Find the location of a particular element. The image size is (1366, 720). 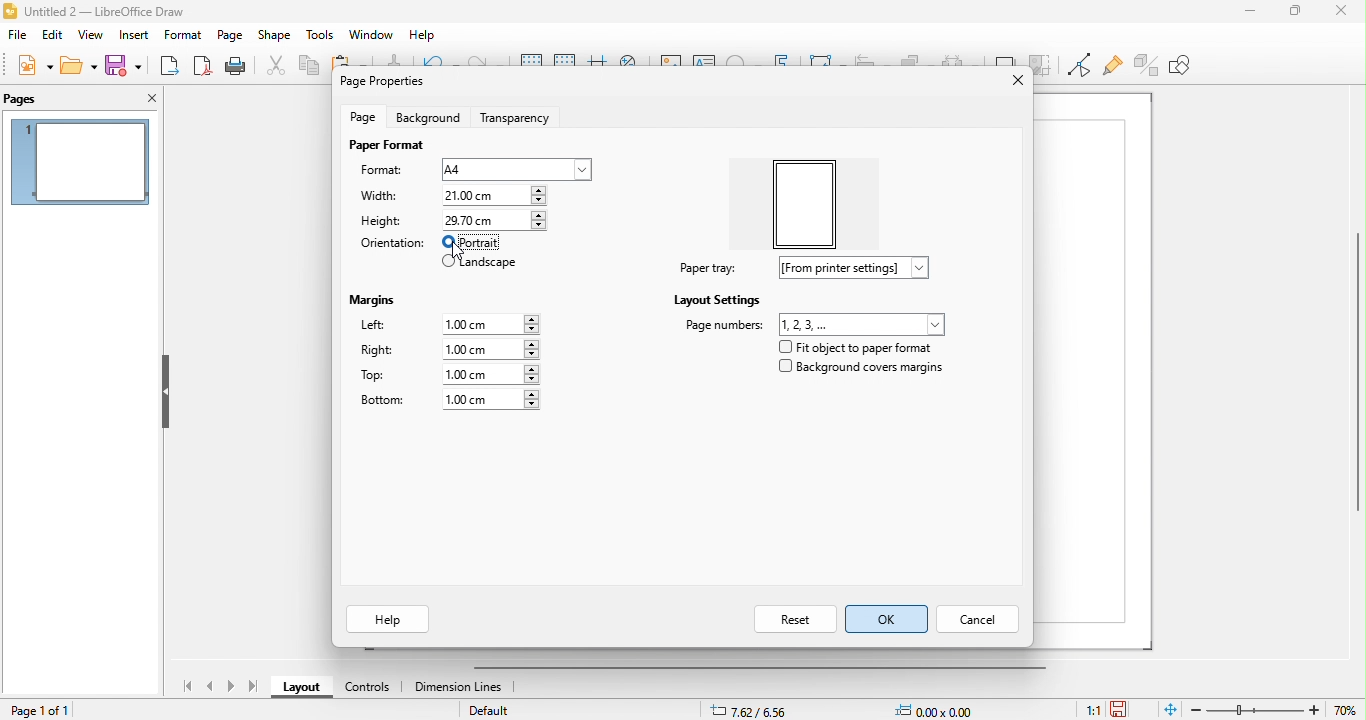

tools is located at coordinates (320, 36).